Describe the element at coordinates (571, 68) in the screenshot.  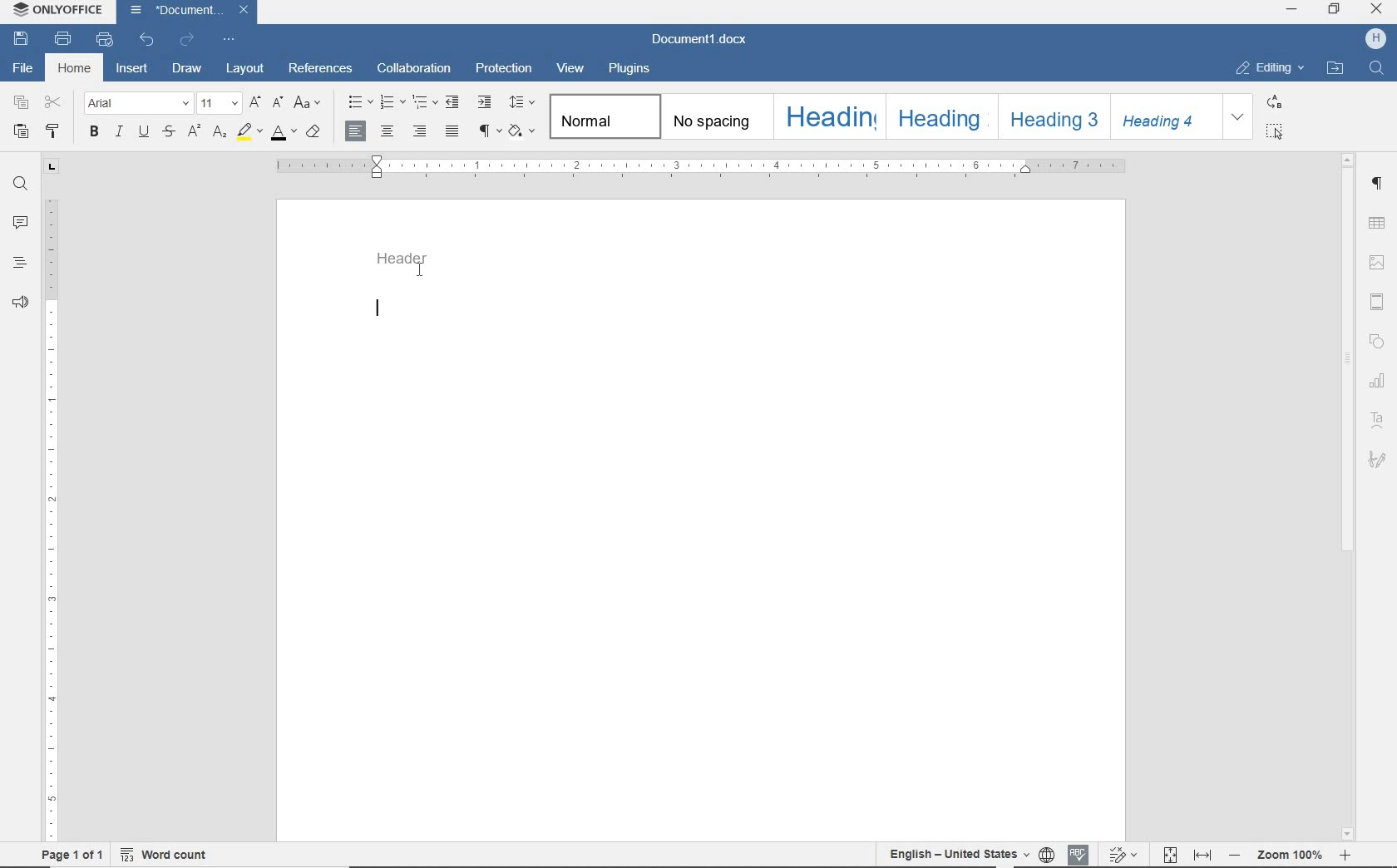
I see `view` at that location.